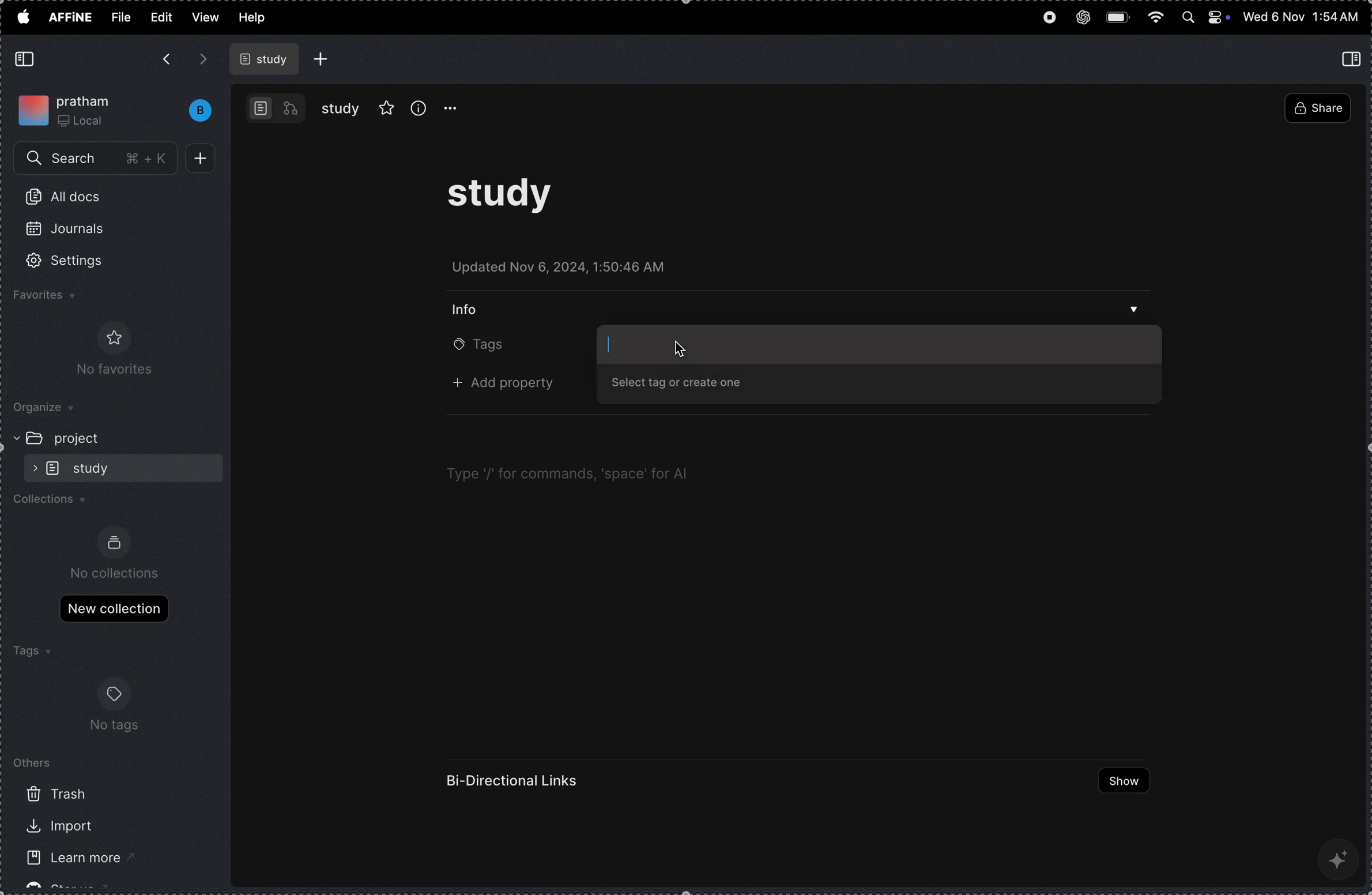 This screenshot has width=1372, height=895. I want to click on study task, so click(510, 200).